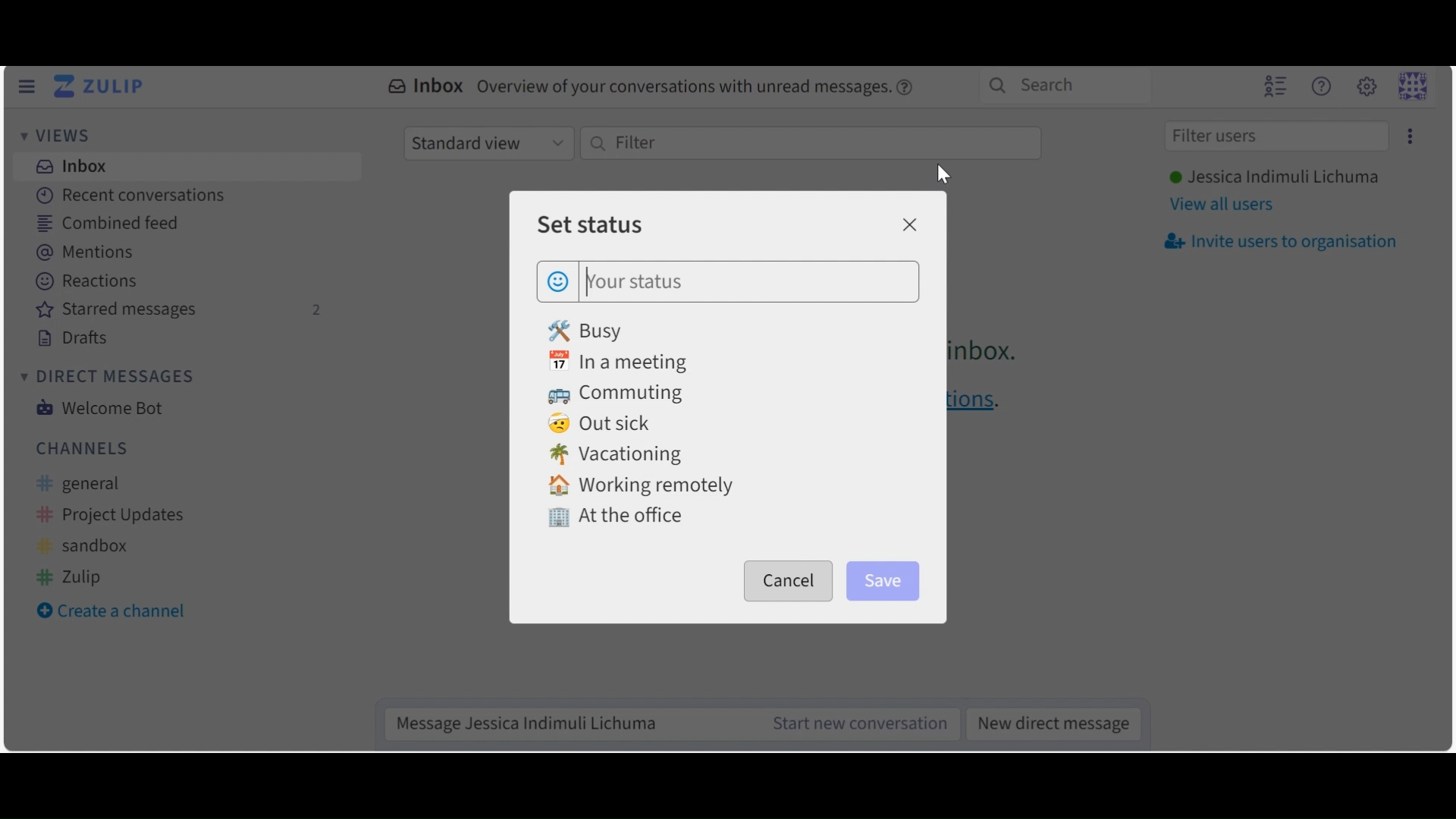  What do you see at coordinates (589, 224) in the screenshot?
I see `Set Status` at bounding box center [589, 224].